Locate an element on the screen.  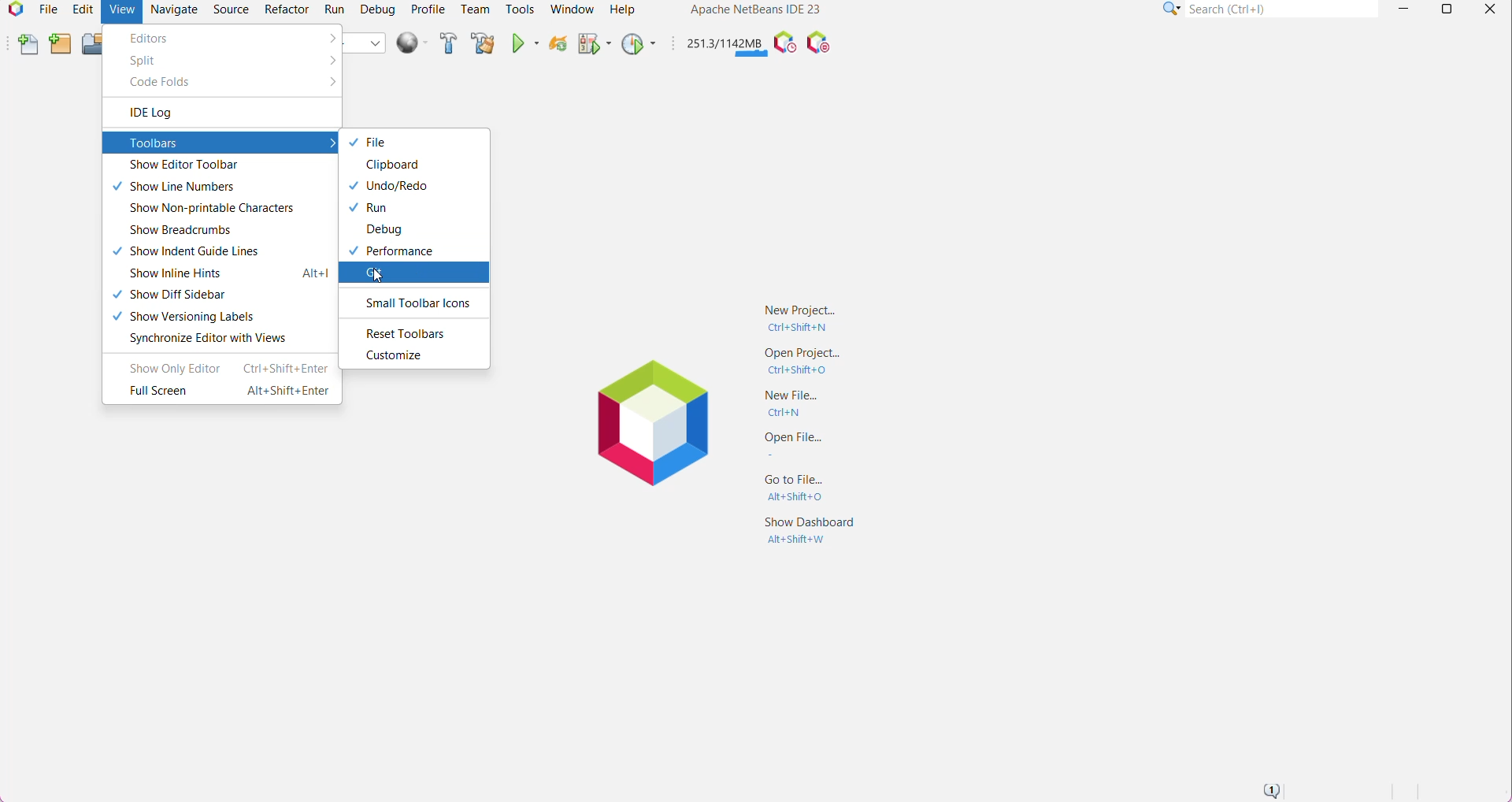
New File is located at coordinates (28, 44).